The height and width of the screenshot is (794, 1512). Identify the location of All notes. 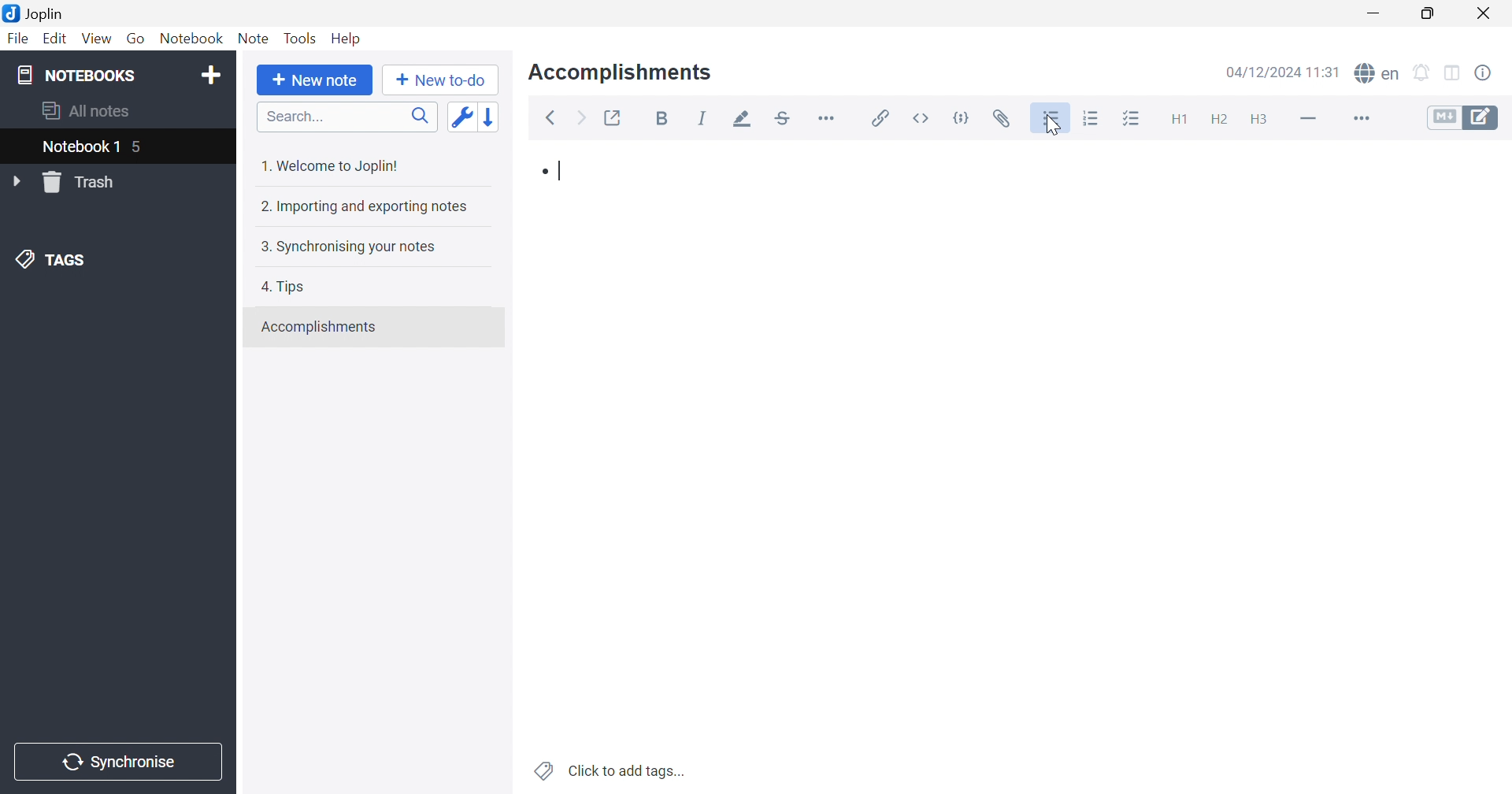
(83, 112).